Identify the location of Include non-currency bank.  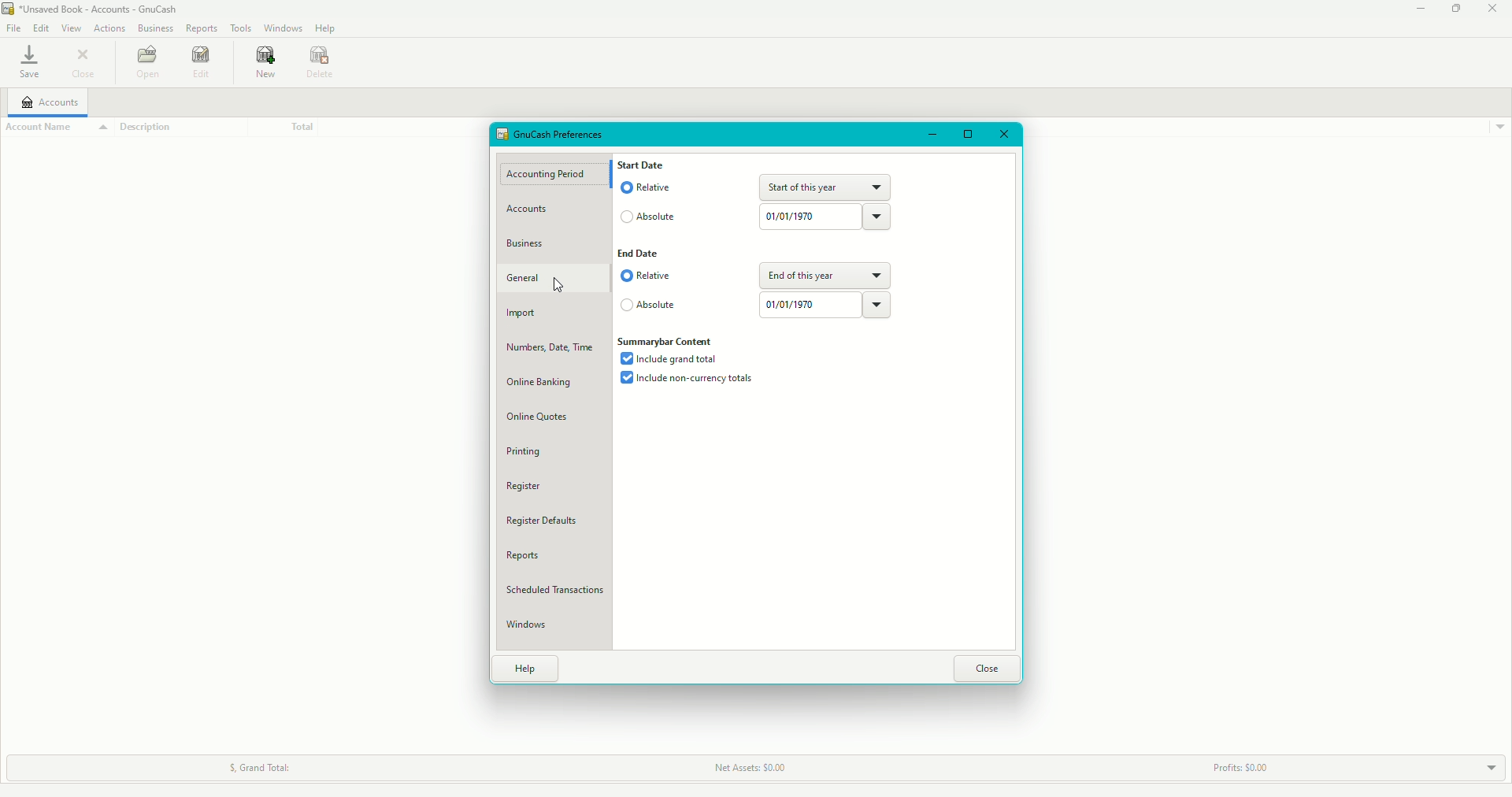
(690, 384).